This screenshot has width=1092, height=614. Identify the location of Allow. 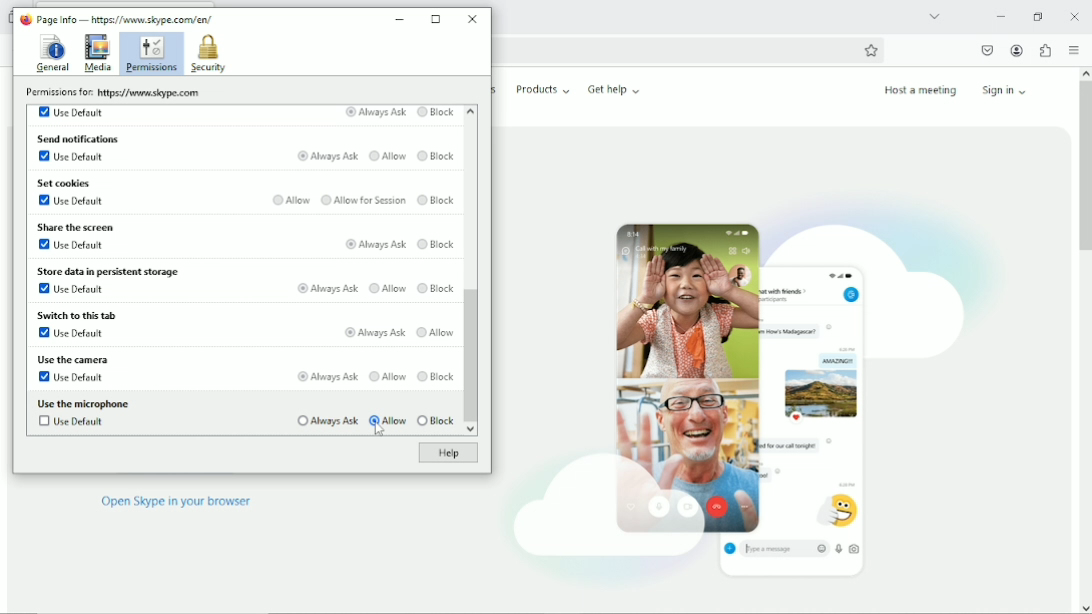
(388, 157).